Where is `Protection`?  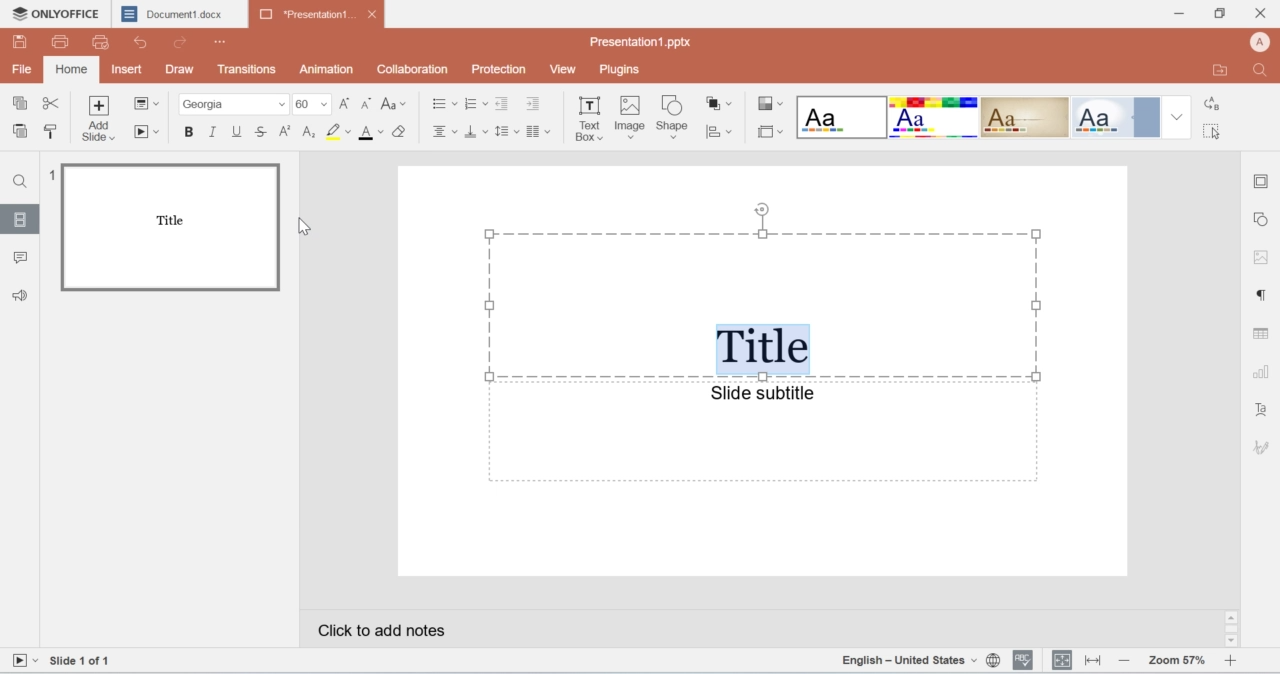 Protection is located at coordinates (500, 69).